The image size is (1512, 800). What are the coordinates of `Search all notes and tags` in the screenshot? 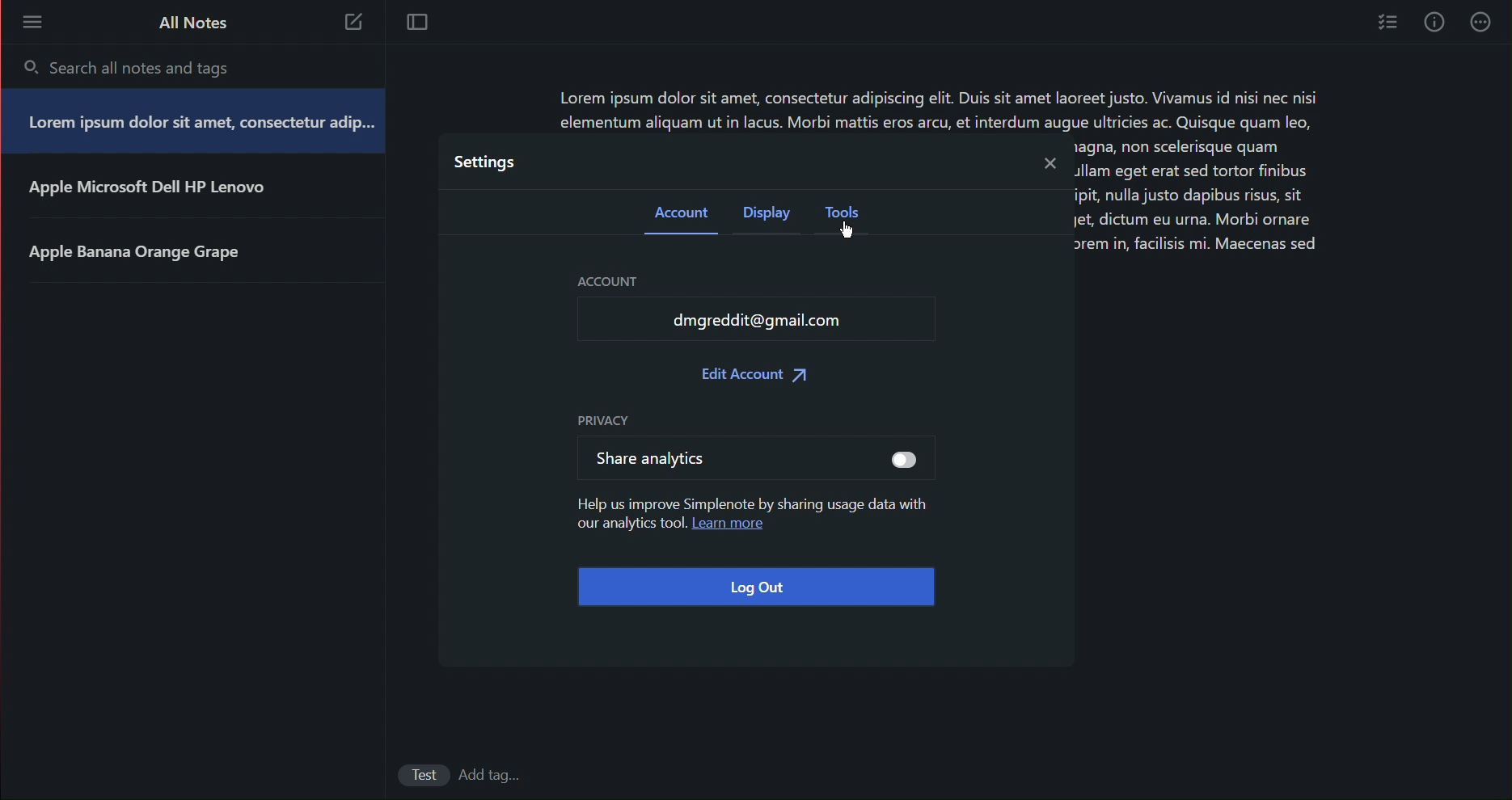 It's located at (153, 64).